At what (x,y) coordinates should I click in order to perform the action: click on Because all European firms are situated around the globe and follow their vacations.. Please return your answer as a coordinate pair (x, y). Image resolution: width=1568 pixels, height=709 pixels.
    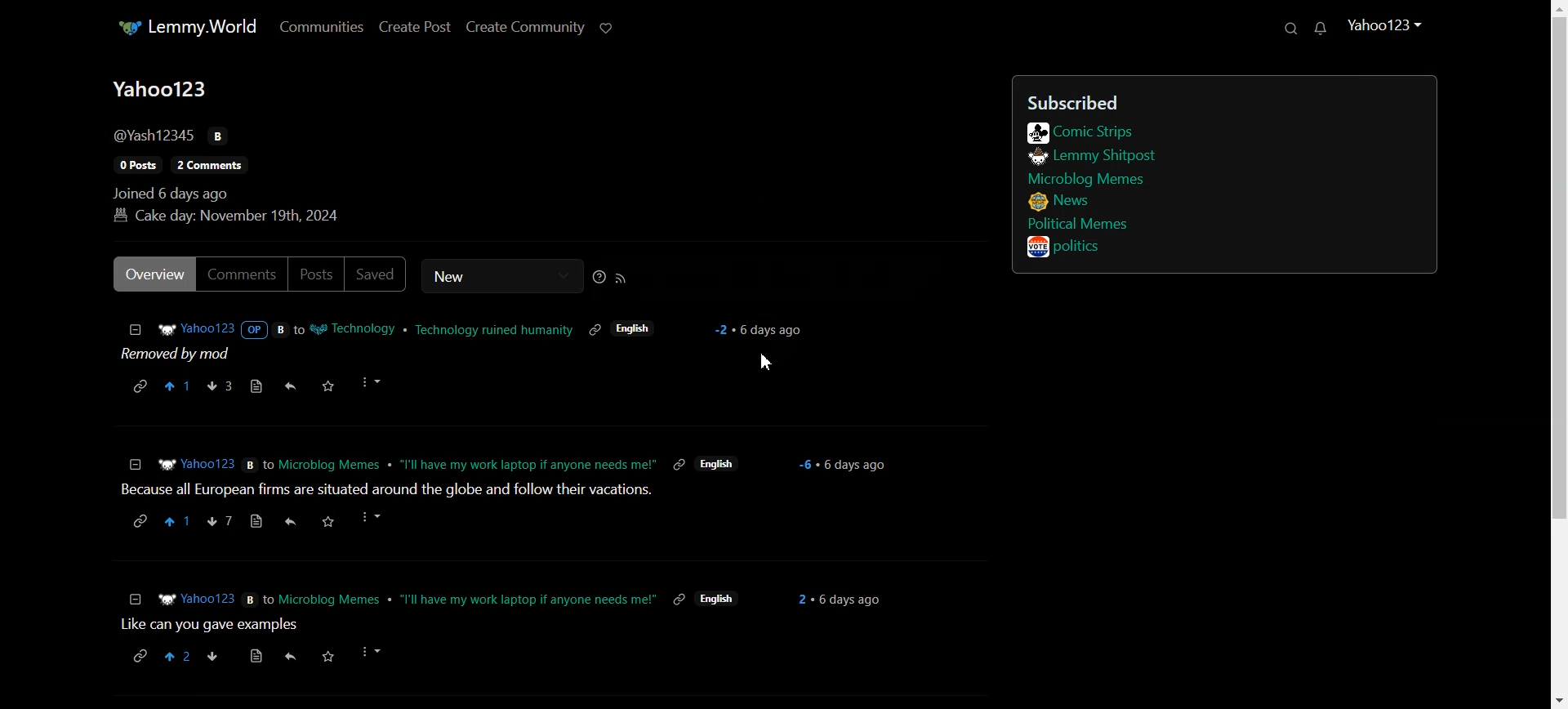
    Looking at the image, I should click on (387, 493).